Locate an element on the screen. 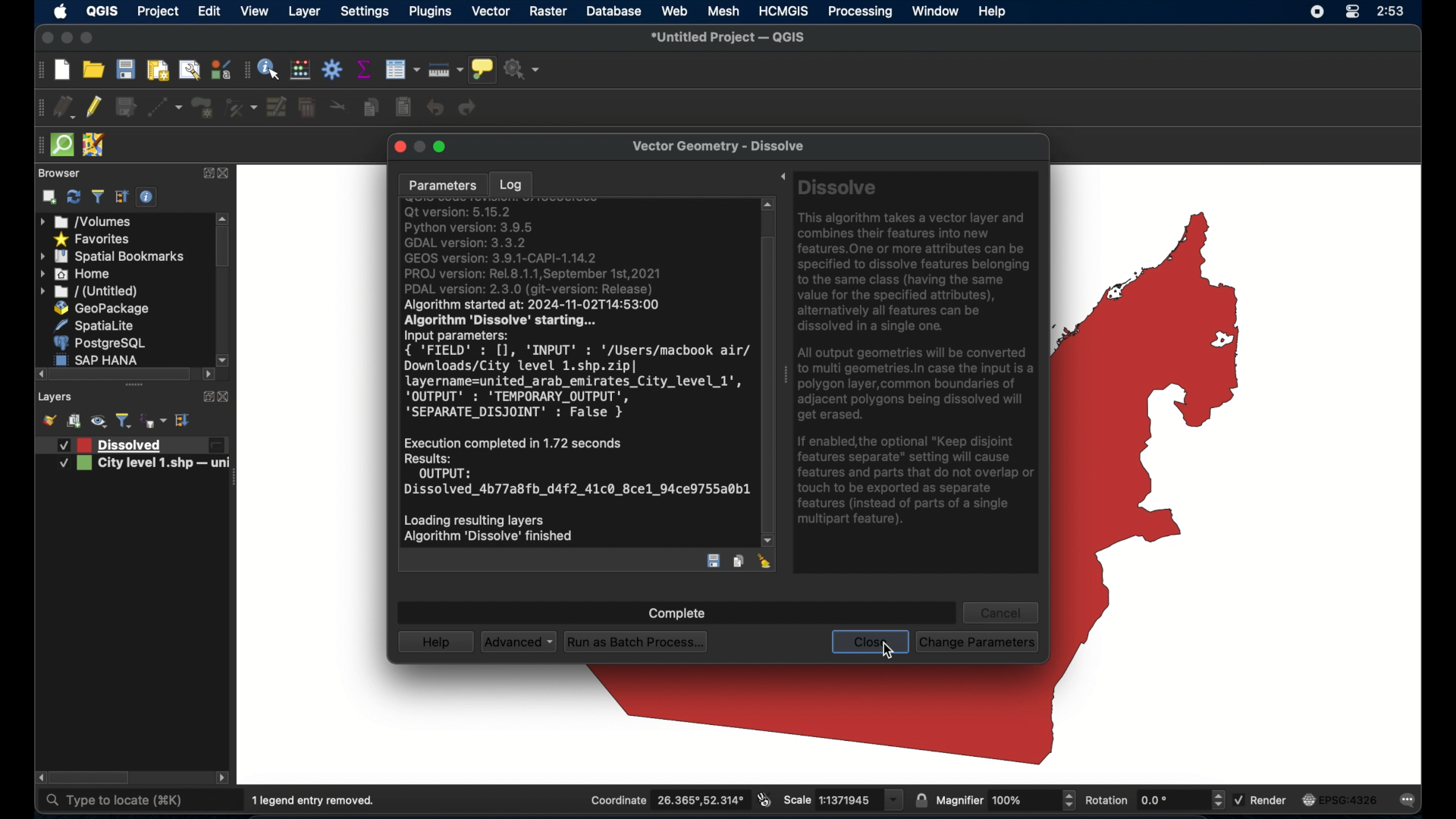 The image size is (1456, 819). open field calculator is located at coordinates (300, 70).